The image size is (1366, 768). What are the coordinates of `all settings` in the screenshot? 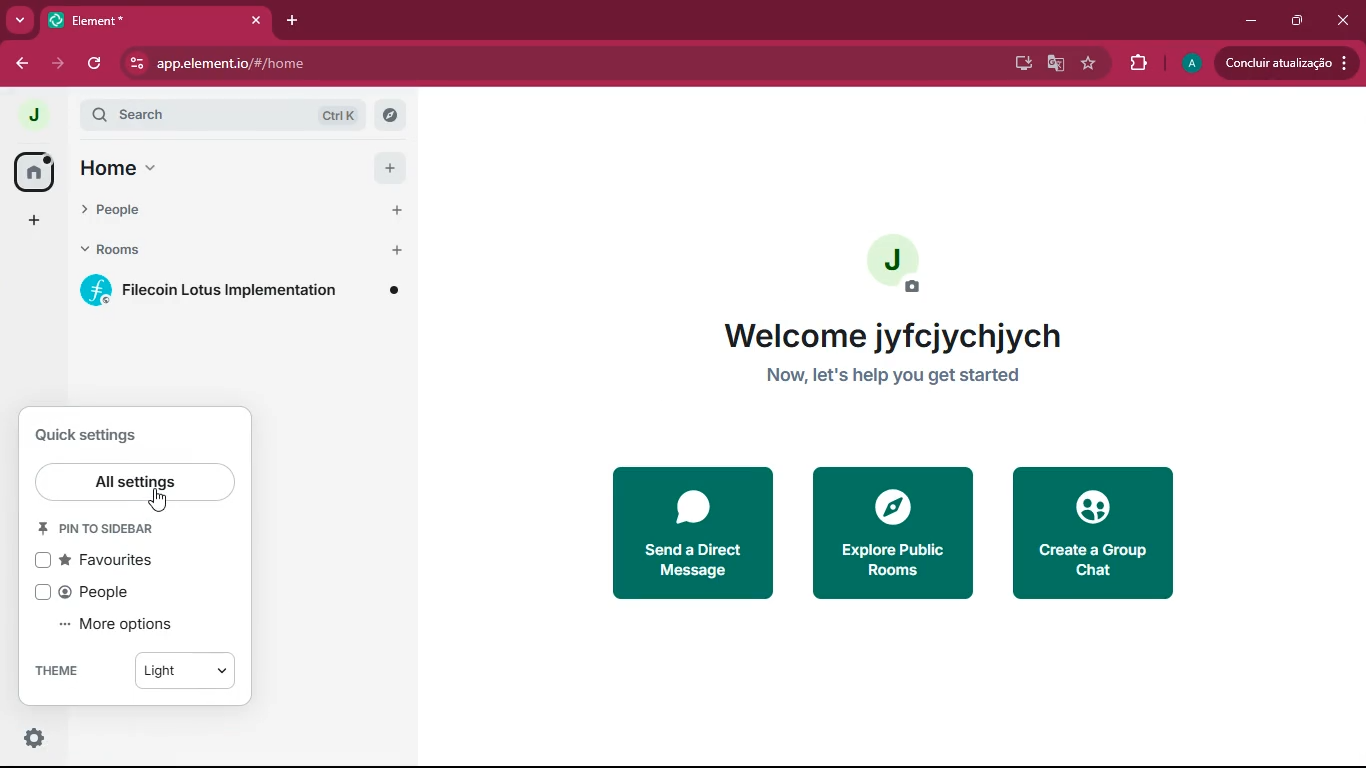 It's located at (137, 481).